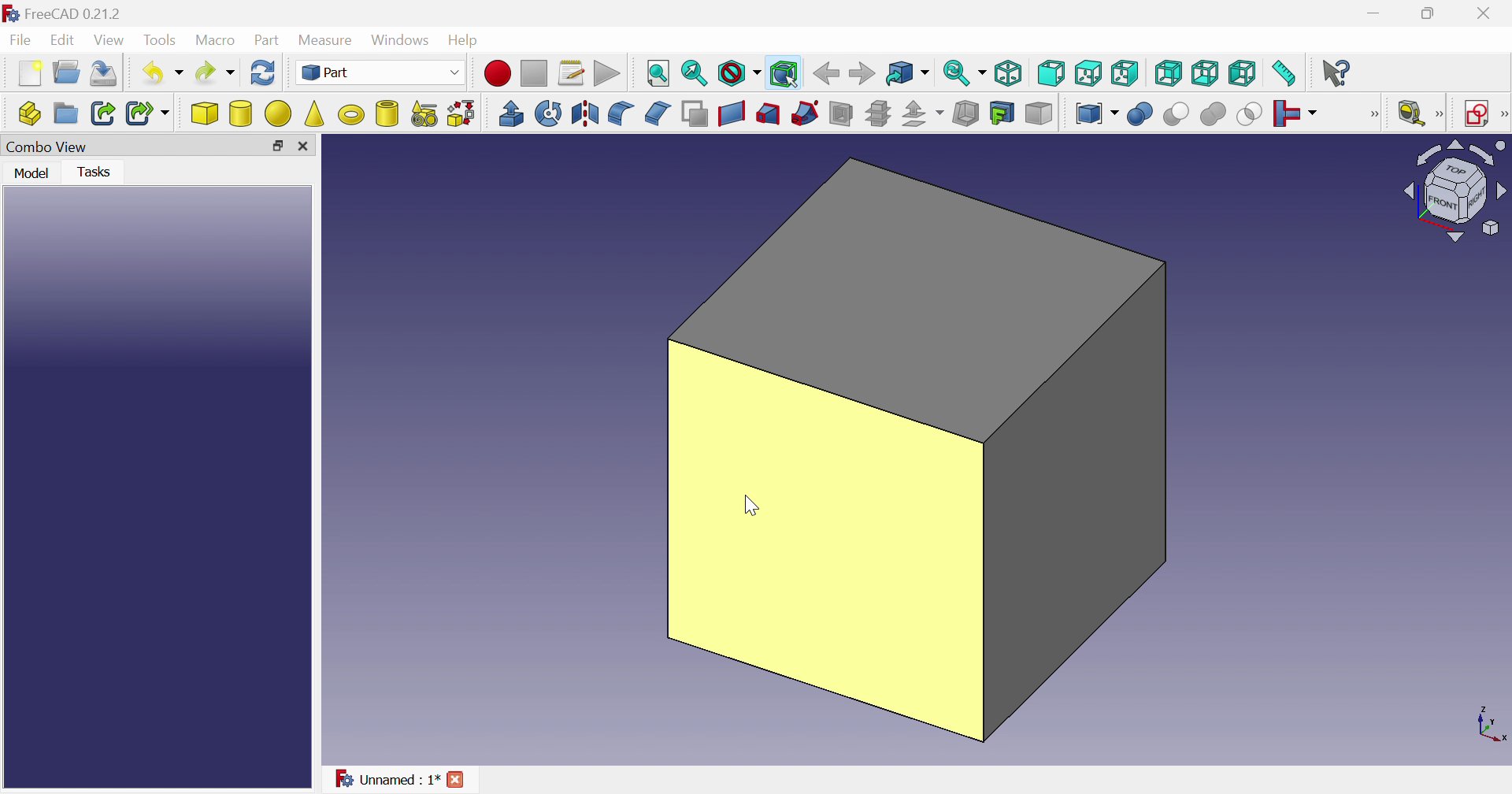 The height and width of the screenshot is (794, 1512). What do you see at coordinates (916, 451) in the screenshot?
I see `Cube` at bounding box center [916, 451].